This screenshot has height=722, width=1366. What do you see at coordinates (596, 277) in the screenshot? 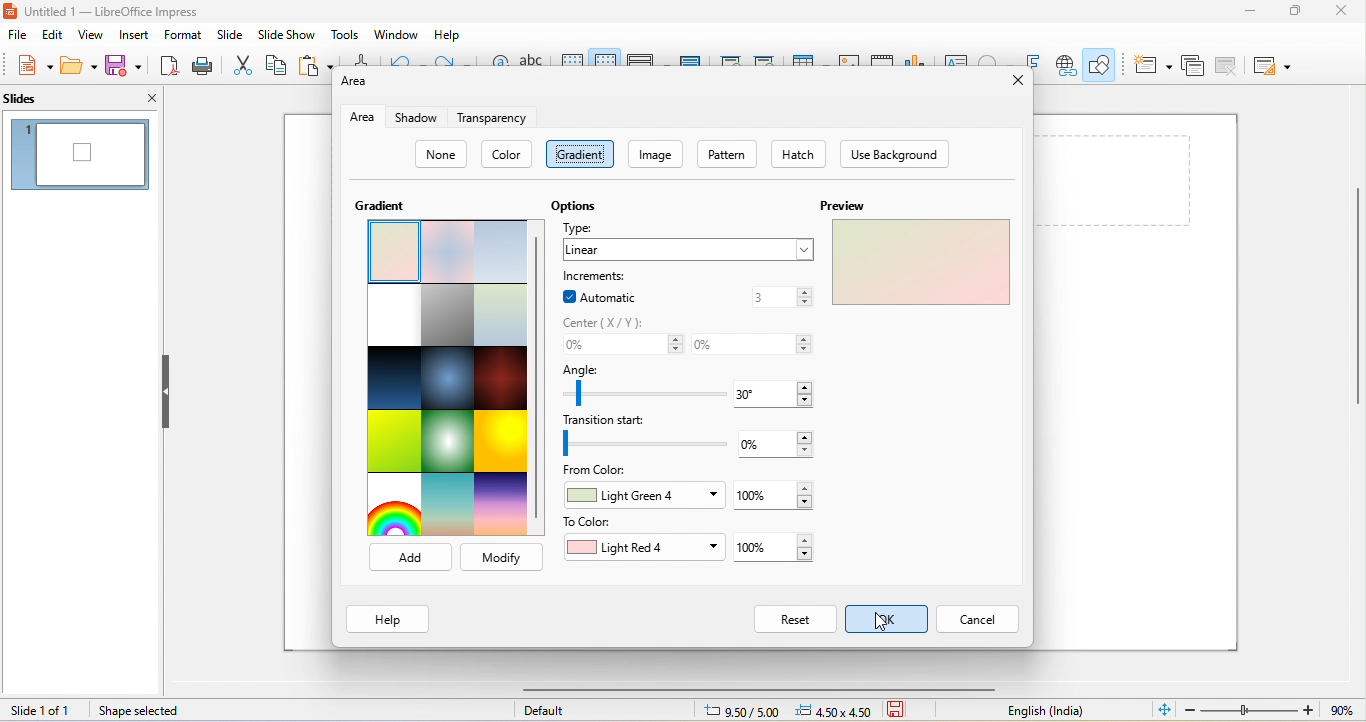
I see `increments` at bounding box center [596, 277].